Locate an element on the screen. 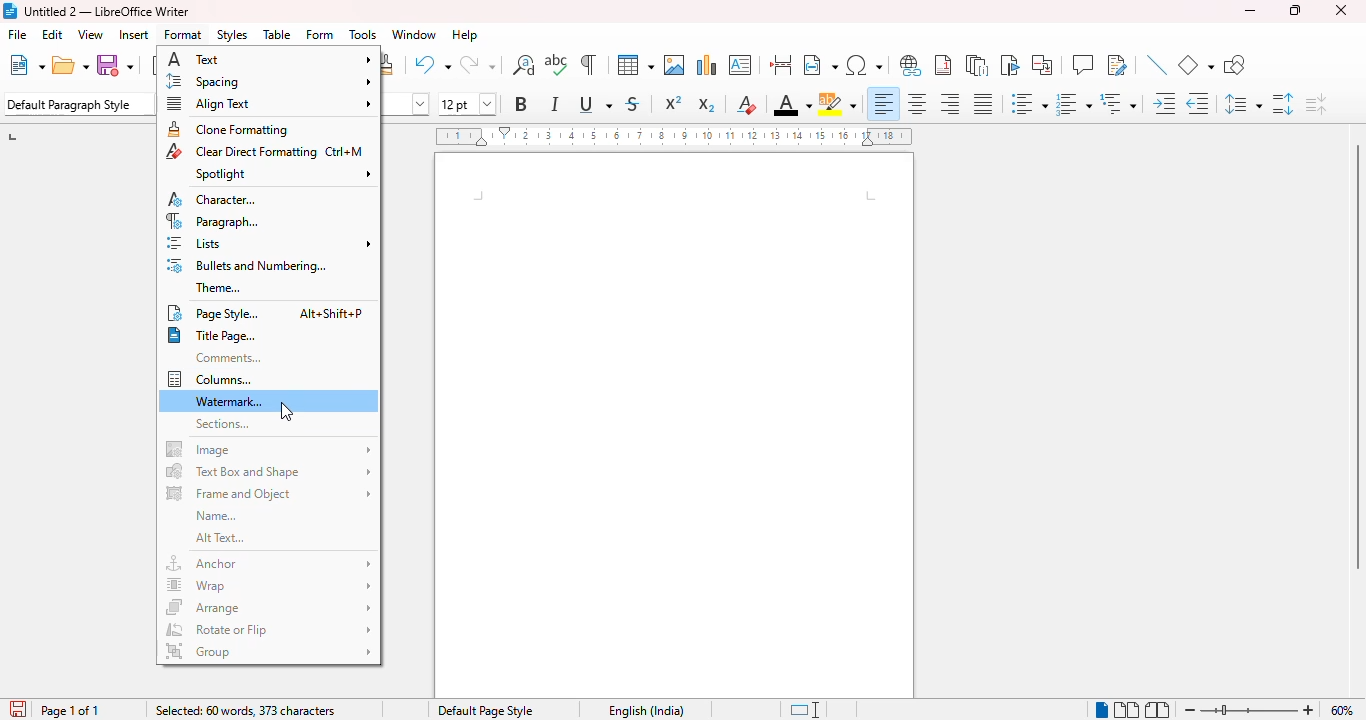  toggle ordered list is located at coordinates (1073, 104).